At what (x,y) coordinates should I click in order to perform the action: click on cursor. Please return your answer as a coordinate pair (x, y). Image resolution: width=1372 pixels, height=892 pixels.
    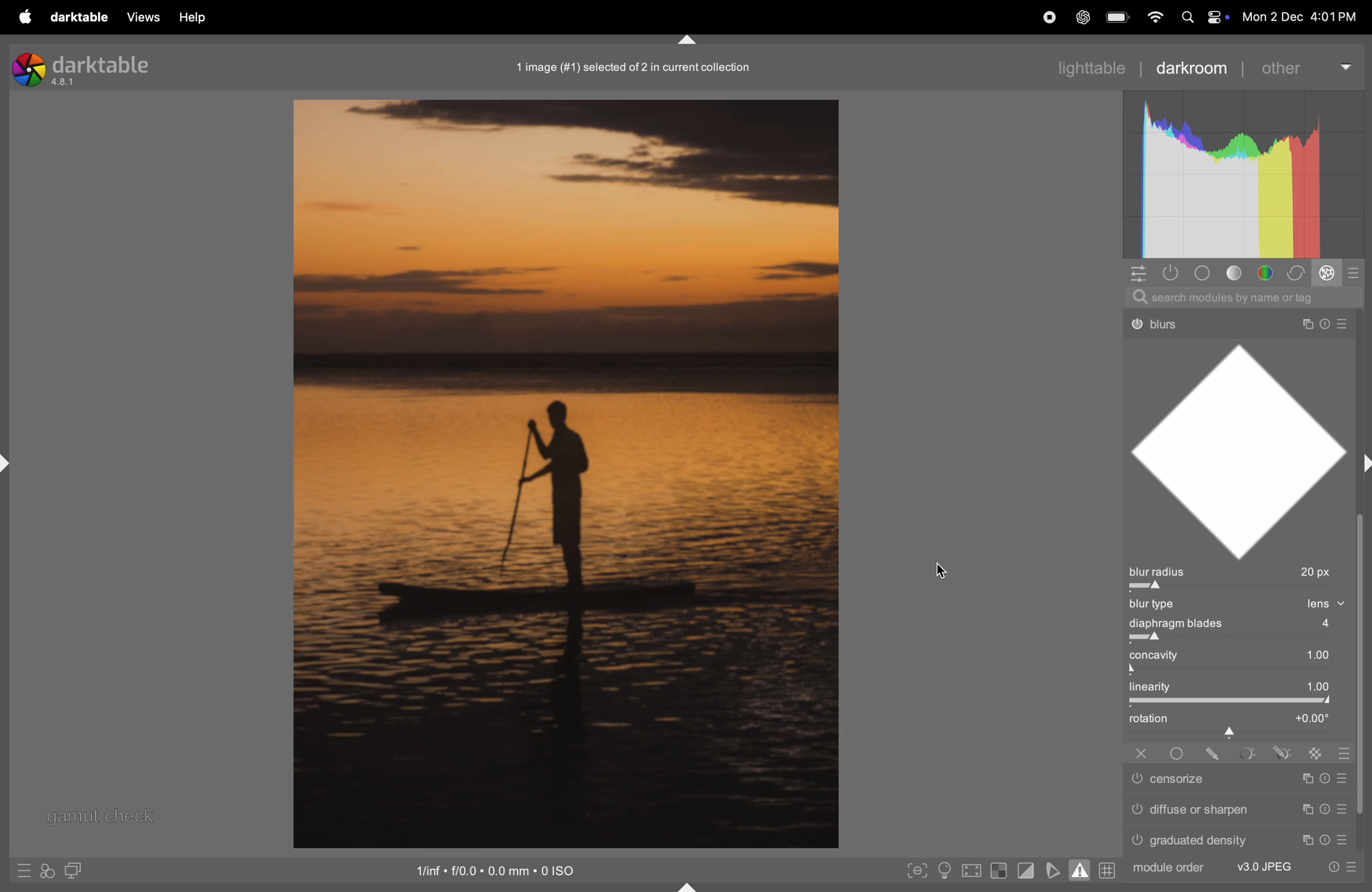
    Looking at the image, I should click on (944, 572).